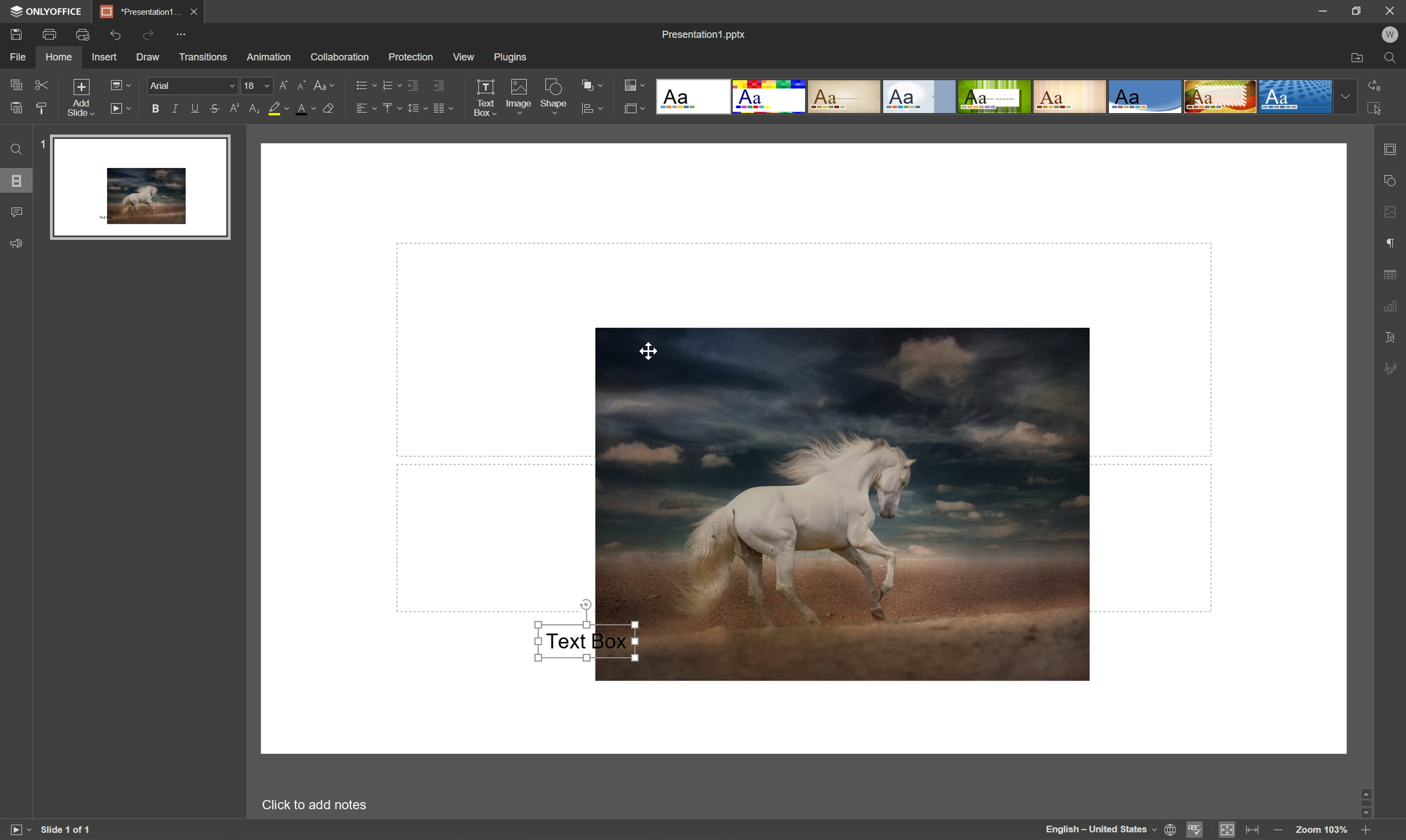 The image size is (1406, 840). What do you see at coordinates (16, 832) in the screenshot?
I see `Start slideshow` at bounding box center [16, 832].